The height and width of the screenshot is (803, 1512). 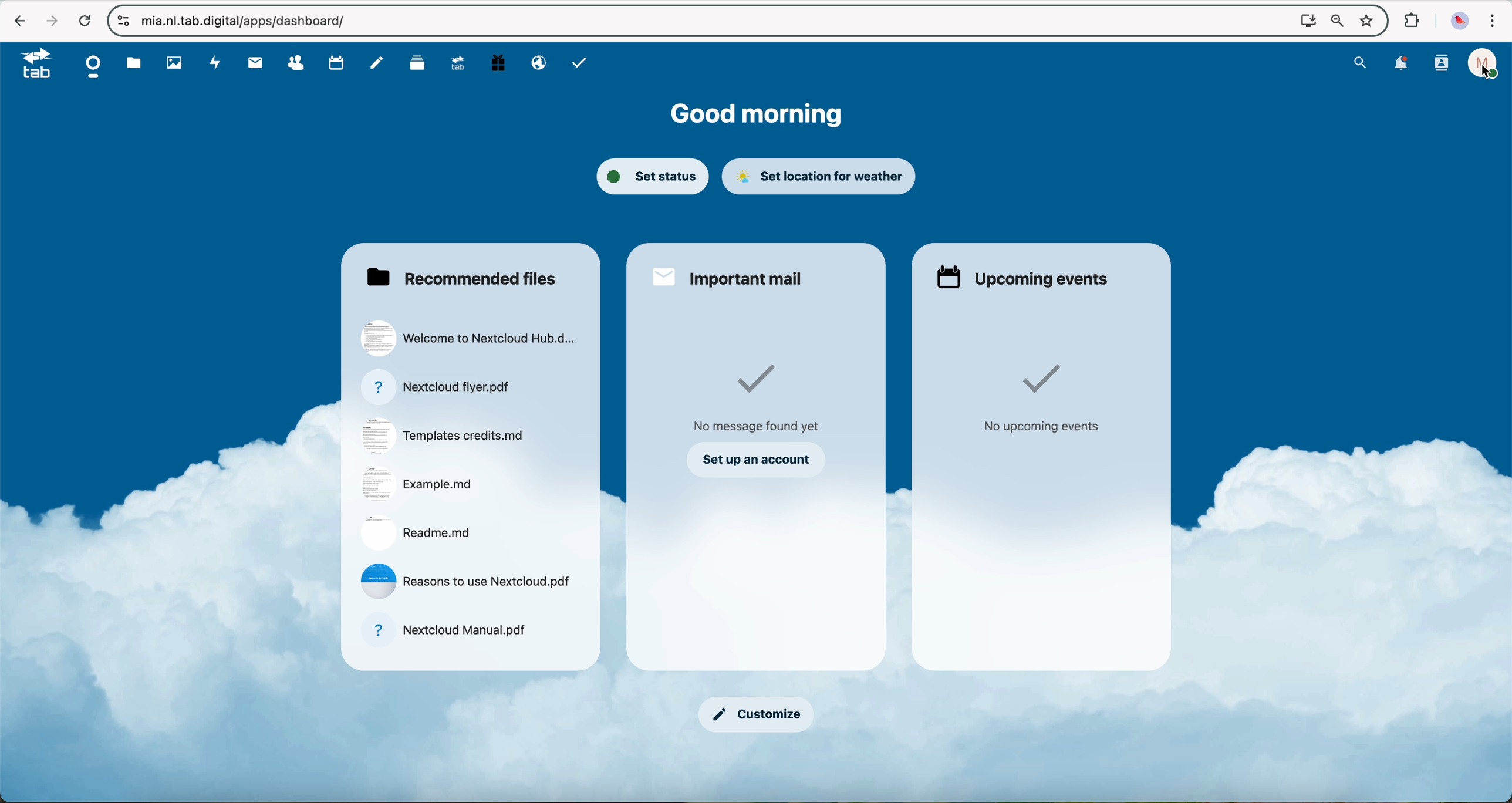 What do you see at coordinates (377, 63) in the screenshot?
I see `notes` at bounding box center [377, 63].